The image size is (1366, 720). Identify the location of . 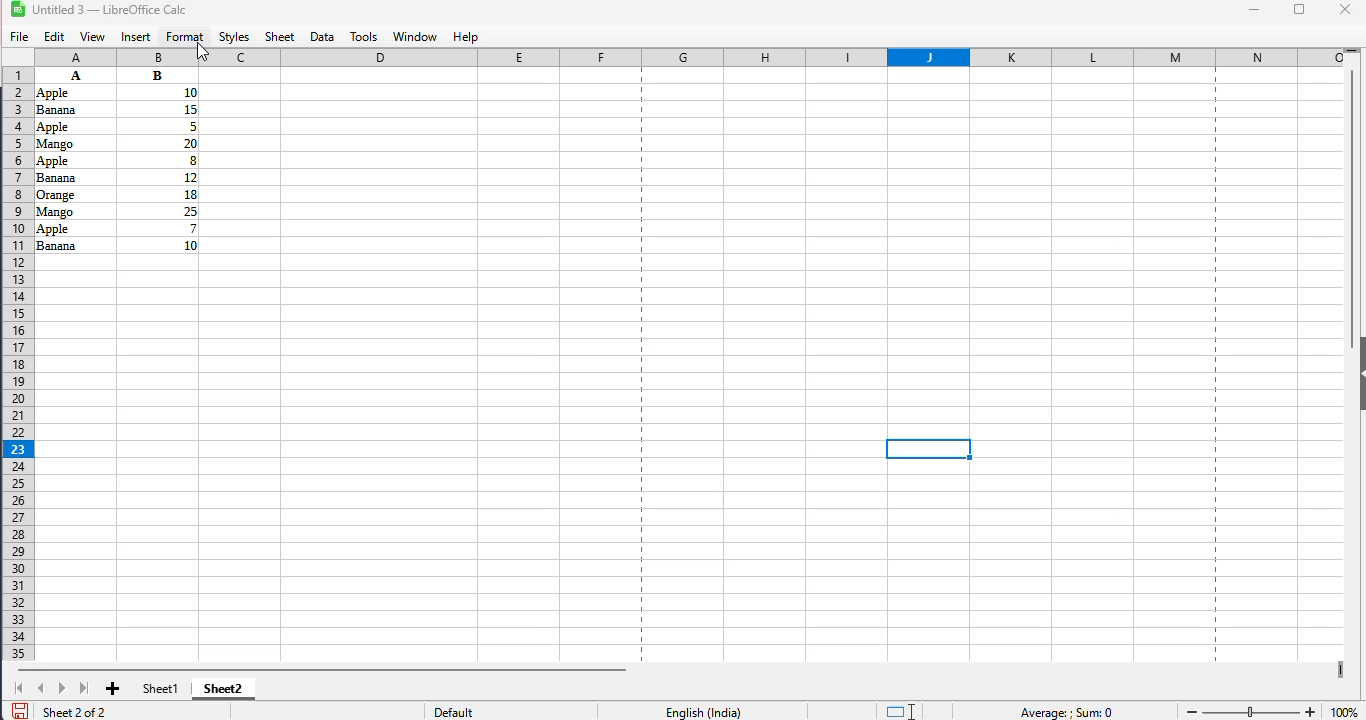
(73, 160).